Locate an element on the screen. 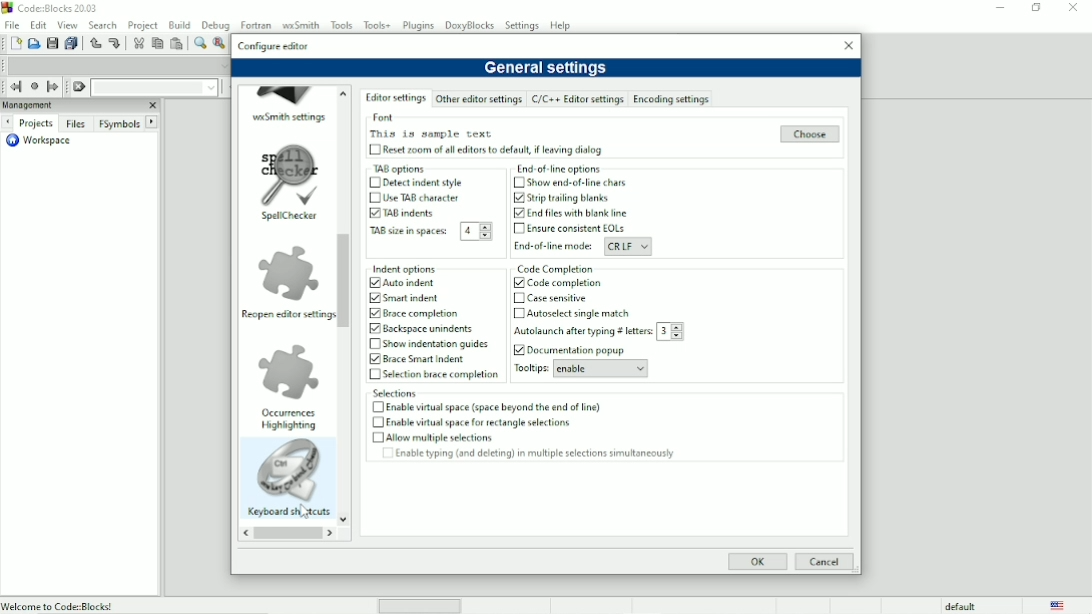  General settings is located at coordinates (546, 68).